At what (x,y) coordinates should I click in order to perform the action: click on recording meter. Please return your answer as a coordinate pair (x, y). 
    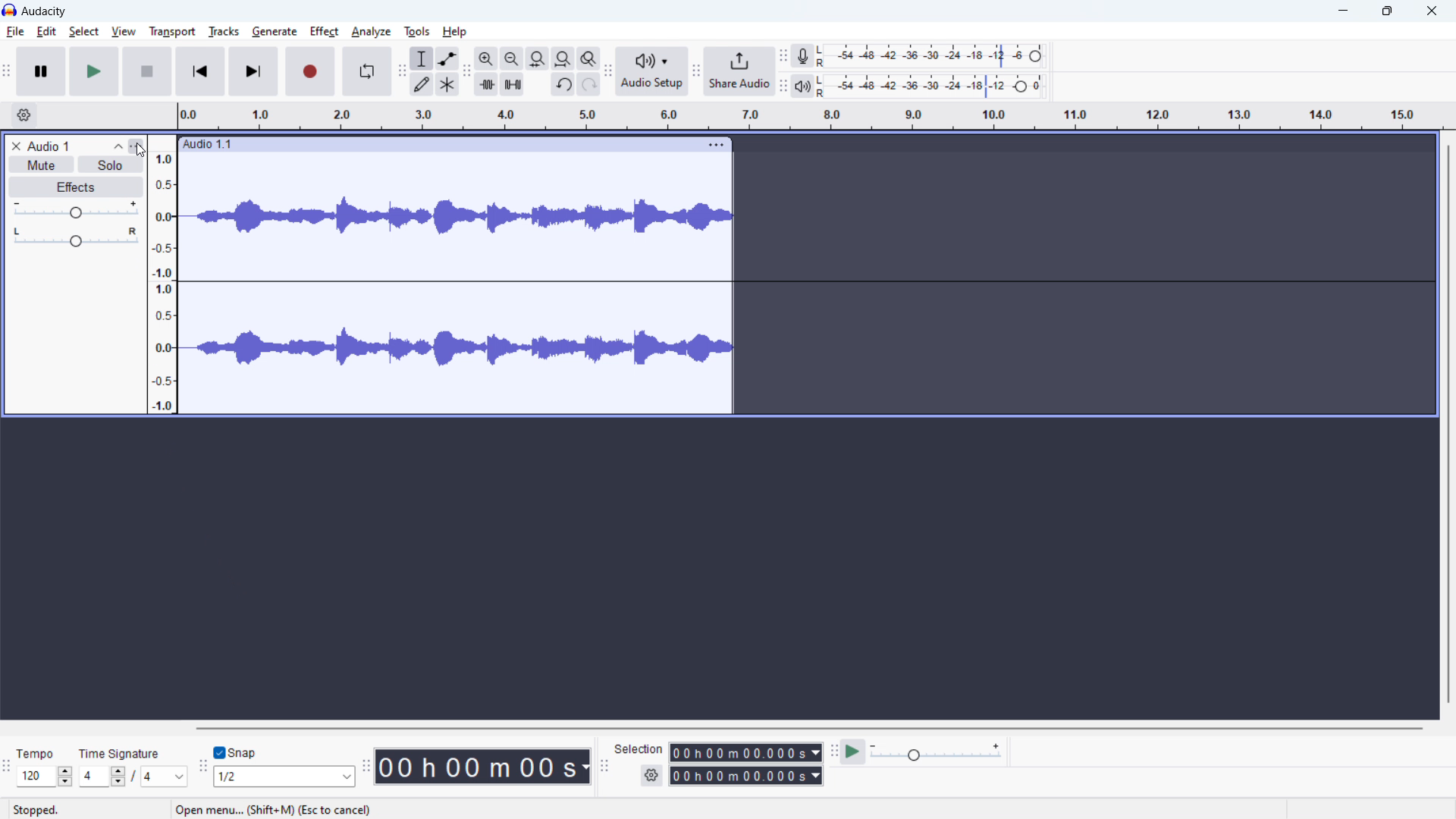
    Looking at the image, I should click on (805, 56).